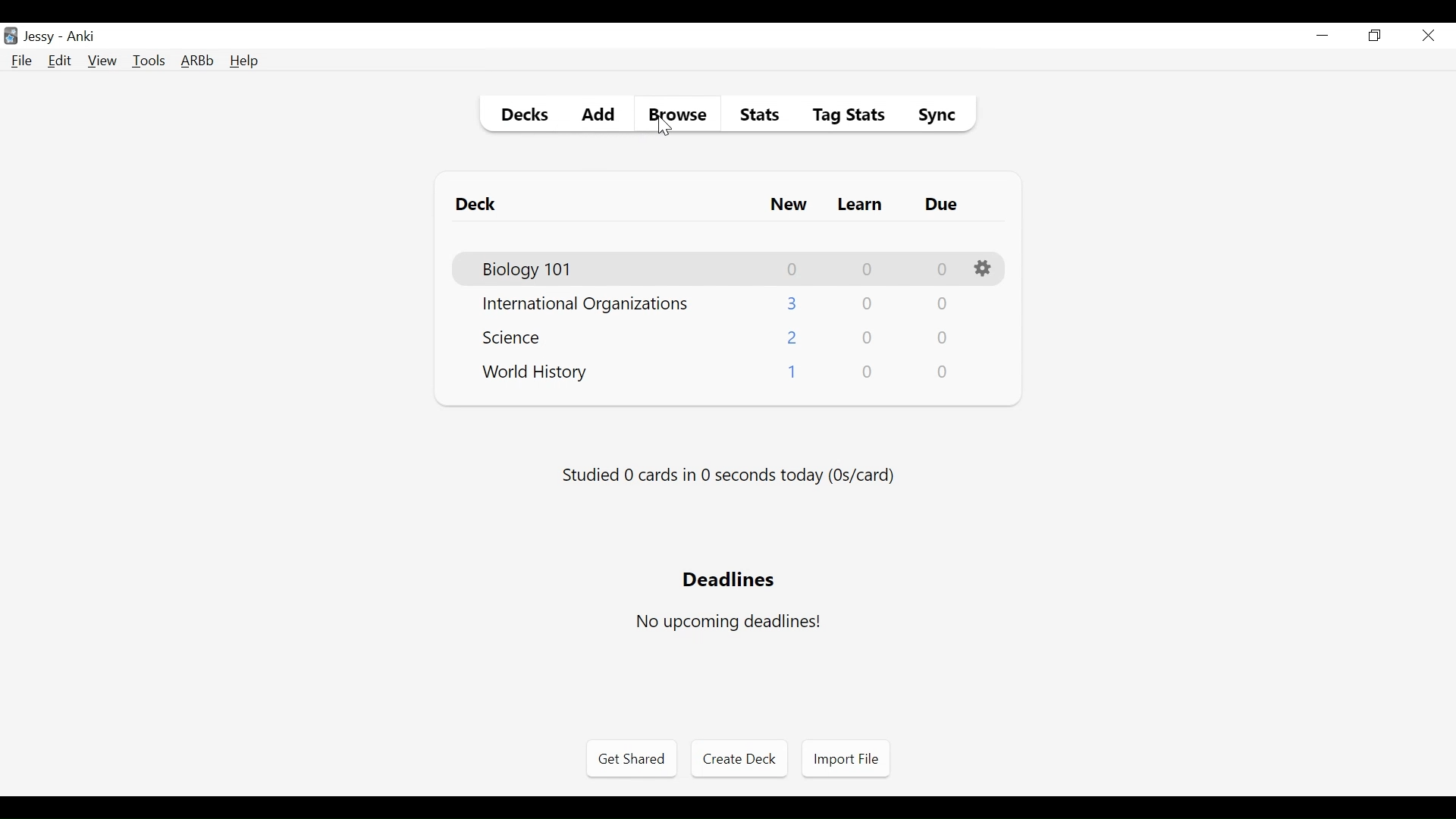  What do you see at coordinates (868, 372) in the screenshot?
I see `` at bounding box center [868, 372].